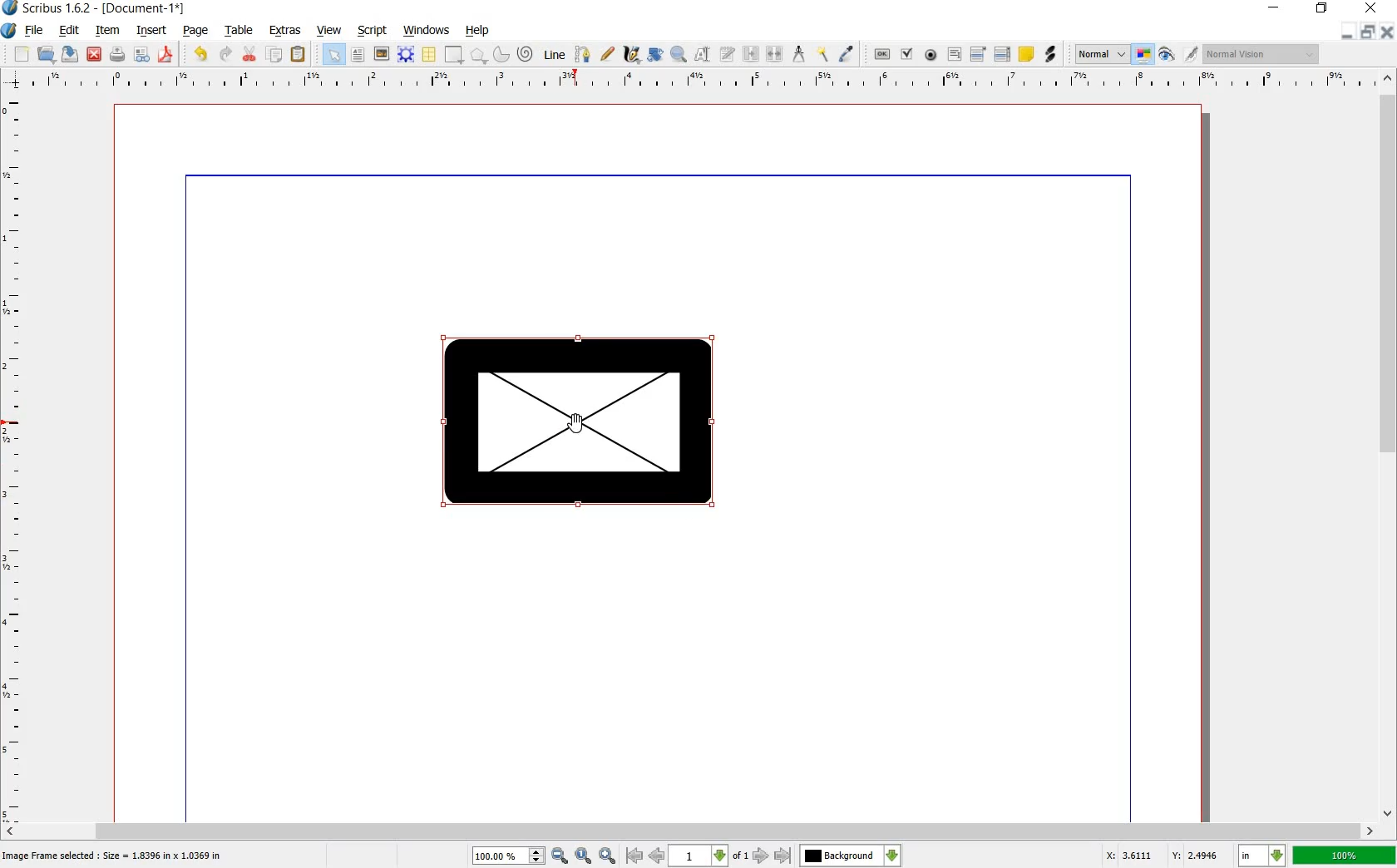  What do you see at coordinates (153, 8) in the screenshot?
I see `-[Document-1*]` at bounding box center [153, 8].